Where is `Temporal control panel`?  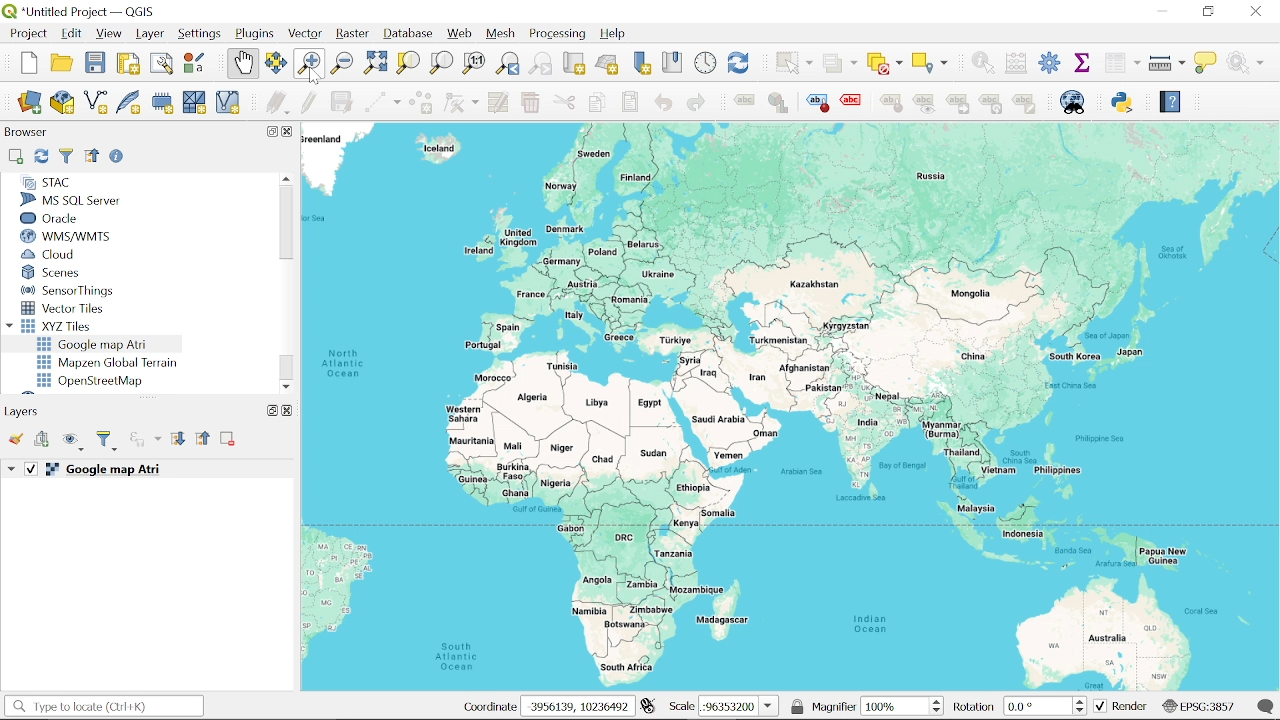
Temporal control panel is located at coordinates (706, 63).